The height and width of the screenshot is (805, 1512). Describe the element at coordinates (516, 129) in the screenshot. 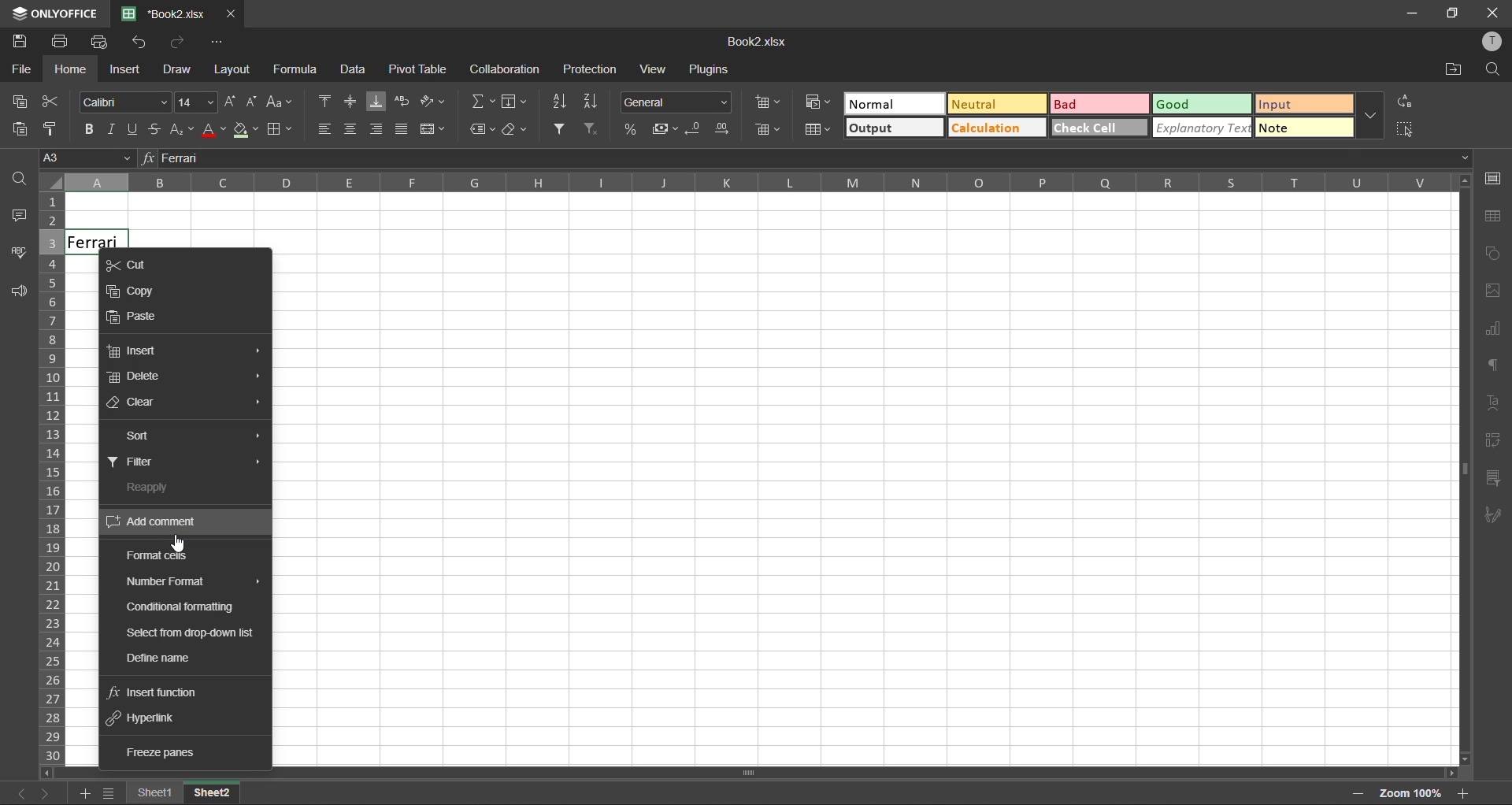

I see `clear` at that location.